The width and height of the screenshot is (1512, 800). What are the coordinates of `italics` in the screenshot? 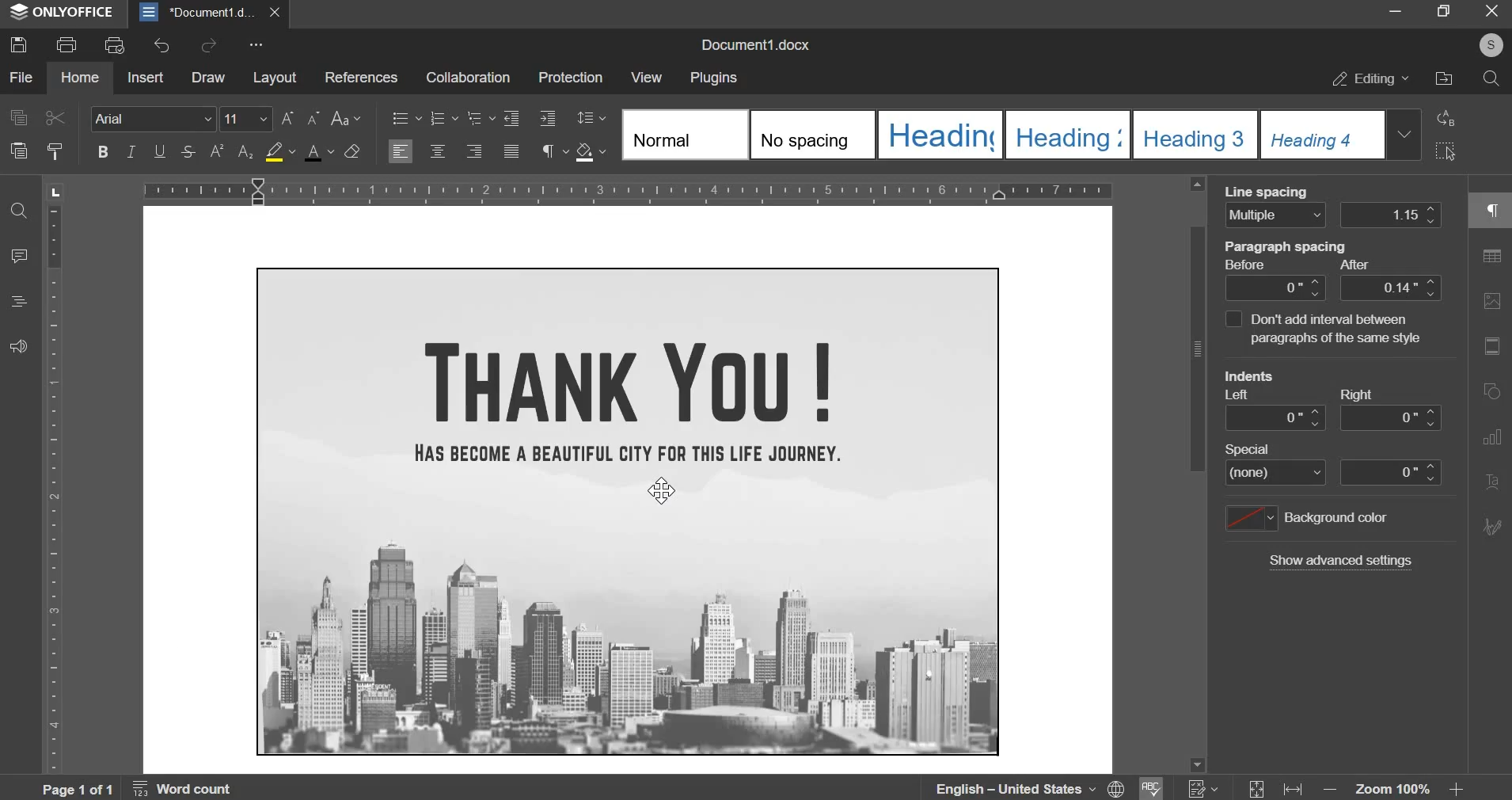 It's located at (131, 150).